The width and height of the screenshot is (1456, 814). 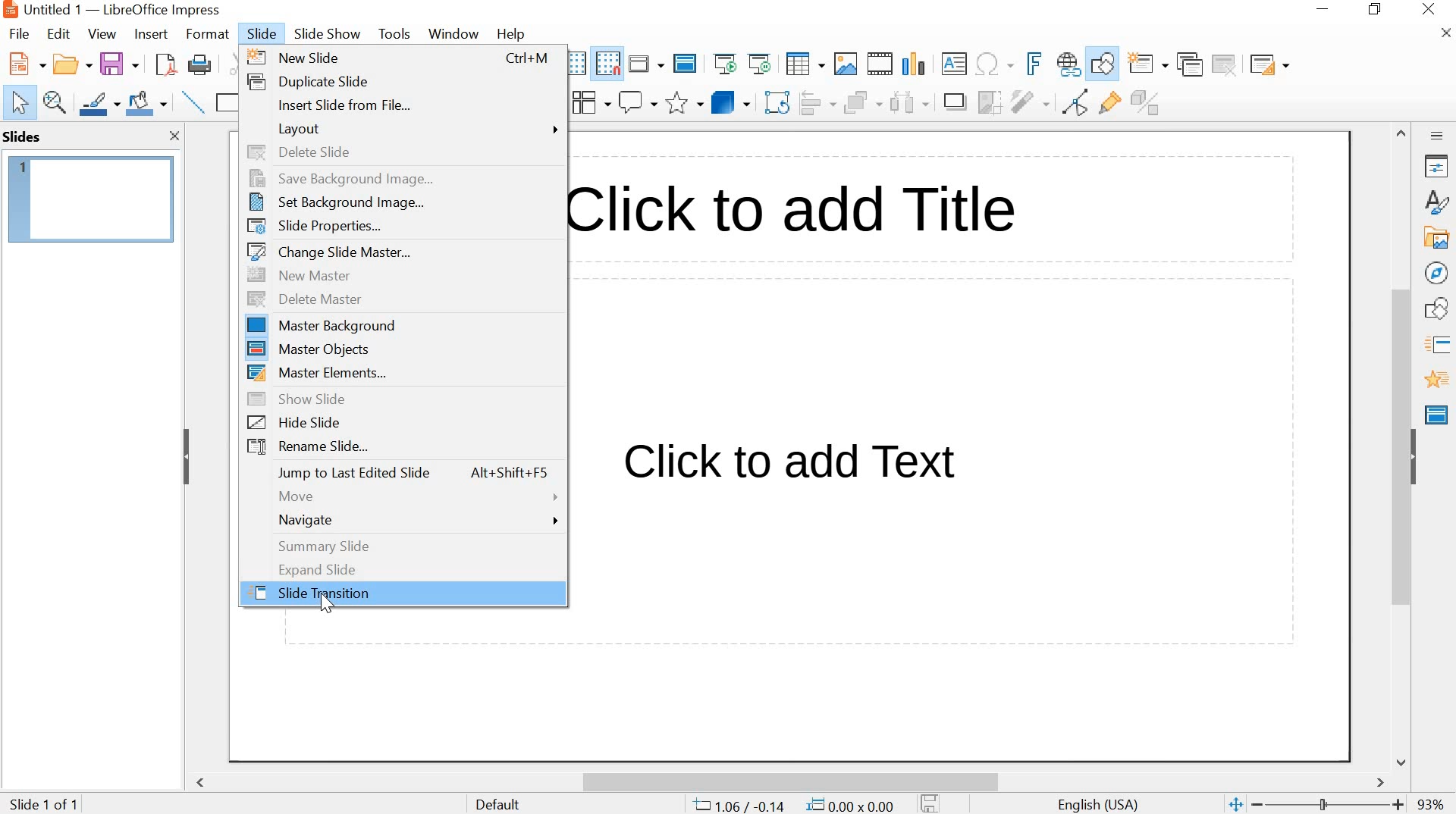 What do you see at coordinates (846, 64) in the screenshot?
I see `Insert Image` at bounding box center [846, 64].